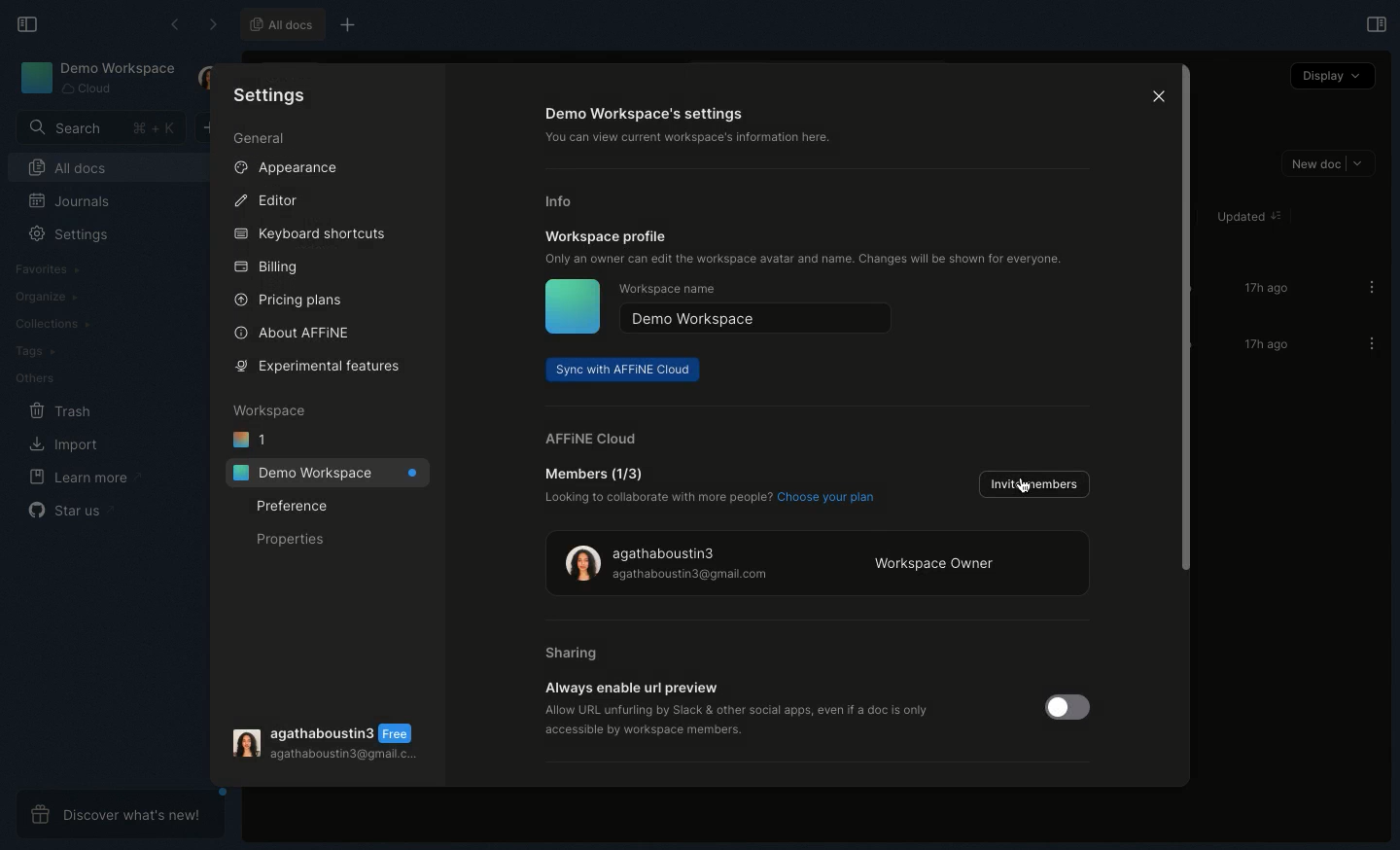 This screenshot has height=850, width=1400. Describe the element at coordinates (278, 98) in the screenshot. I see `Settings` at that location.